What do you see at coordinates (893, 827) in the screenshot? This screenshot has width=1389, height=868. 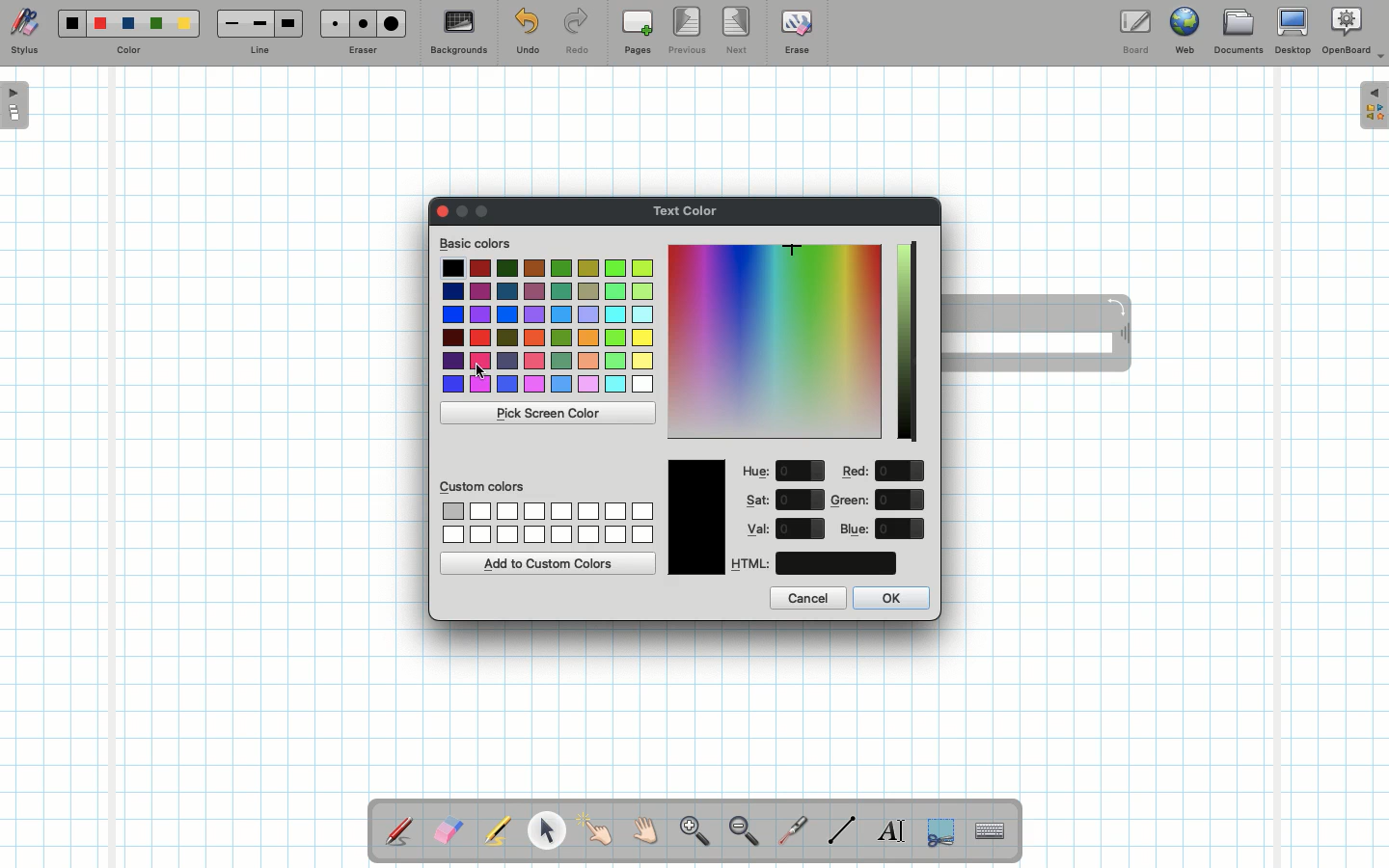 I see `Write text` at bounding box center [893, 827].